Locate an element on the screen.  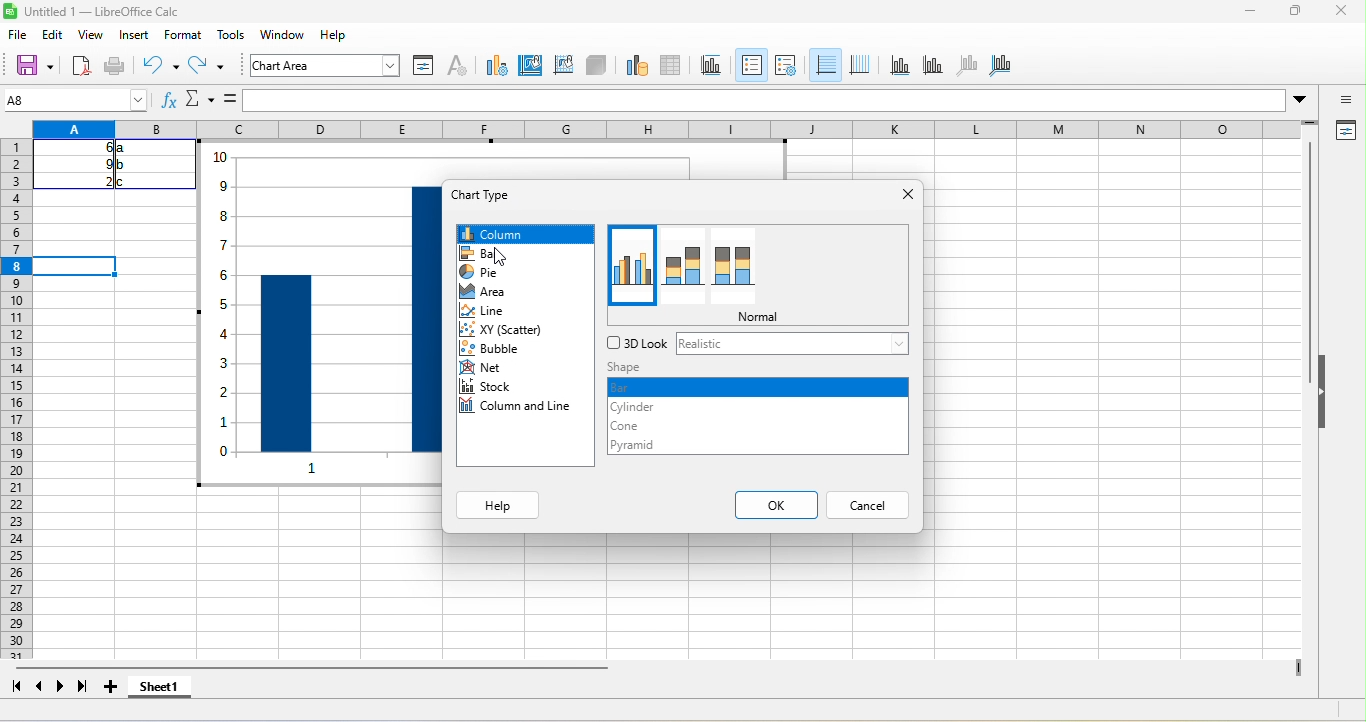
insert is located at coordinates (140, 36).